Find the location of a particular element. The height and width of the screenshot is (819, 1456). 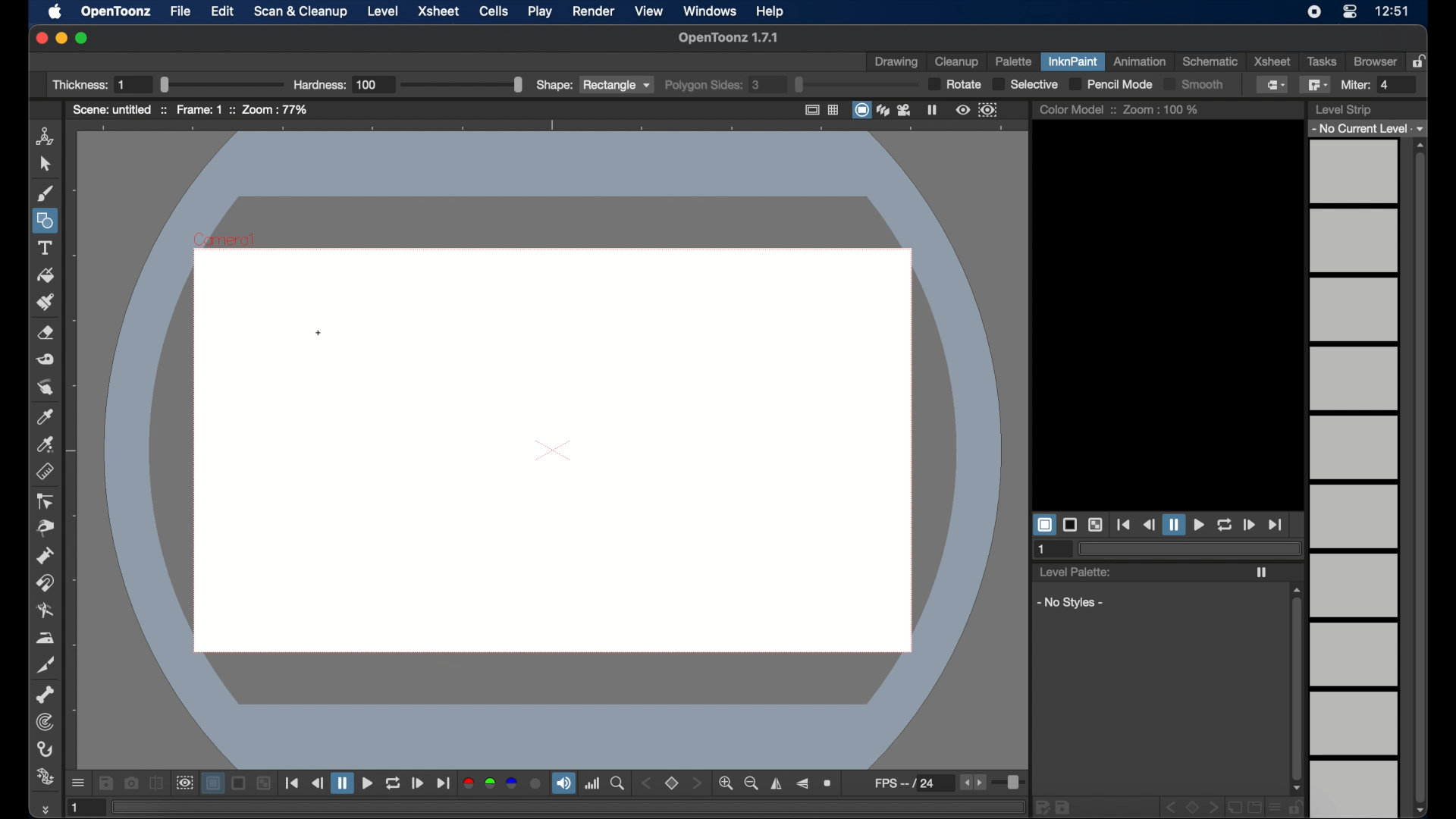

minimize is located at coordinates (61, 38).